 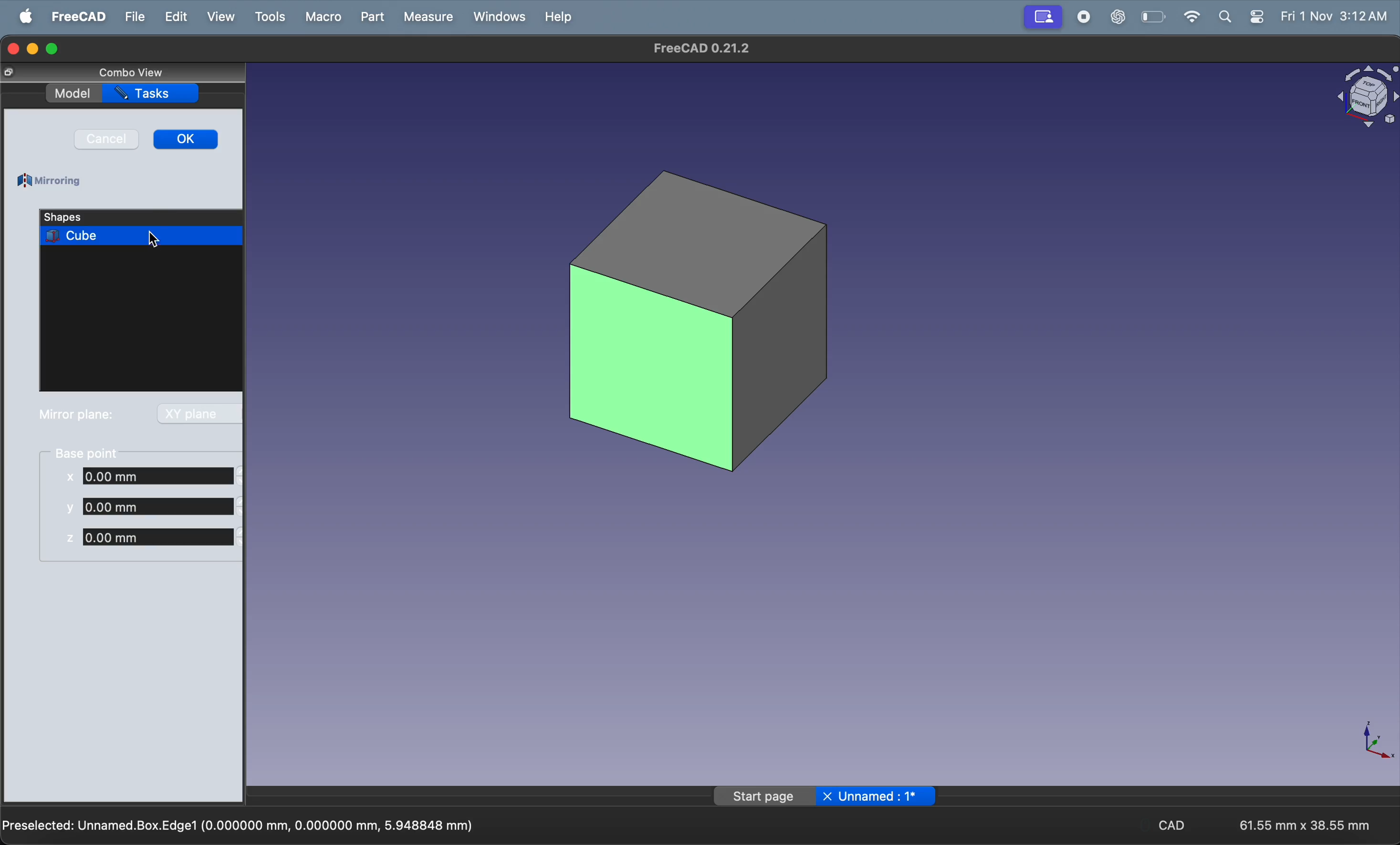 What do you see at coordinates (1365, 100) in the screenshot?
I see `object view` at bounding box center [1365, 100].